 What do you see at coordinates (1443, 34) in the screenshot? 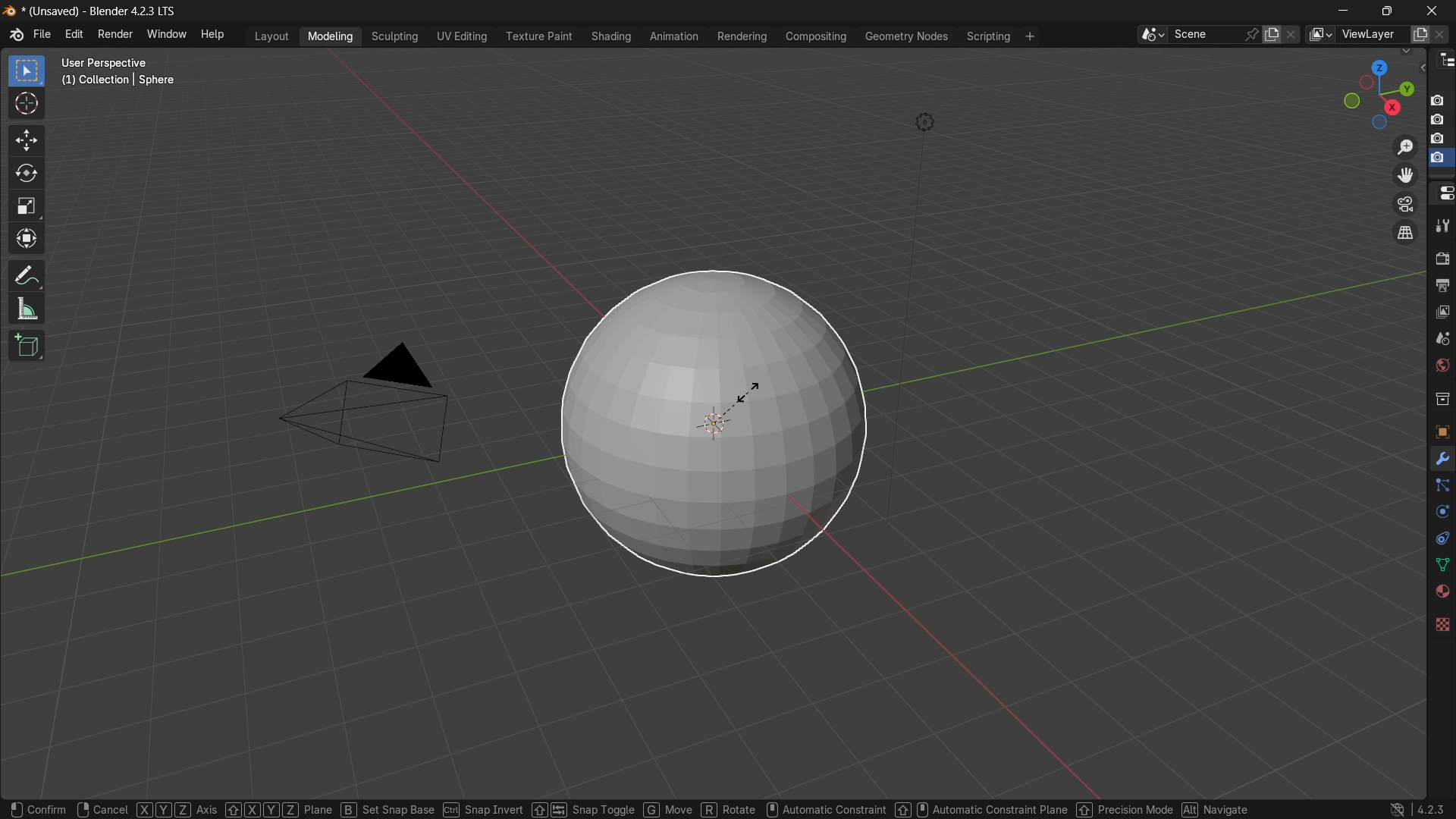
I see `remove layer` at bounding box center [1443, 34].